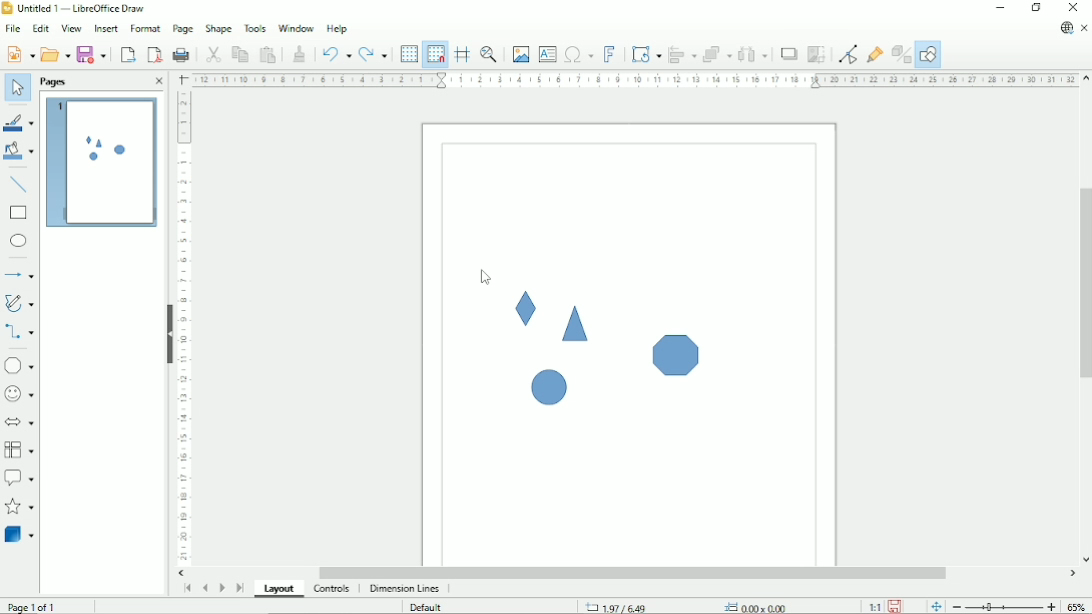 The width and height of the screenshot is (1092, 614). Describe the element at coordinates (105, 29) in the screenshot. I see `Insert` at that location.